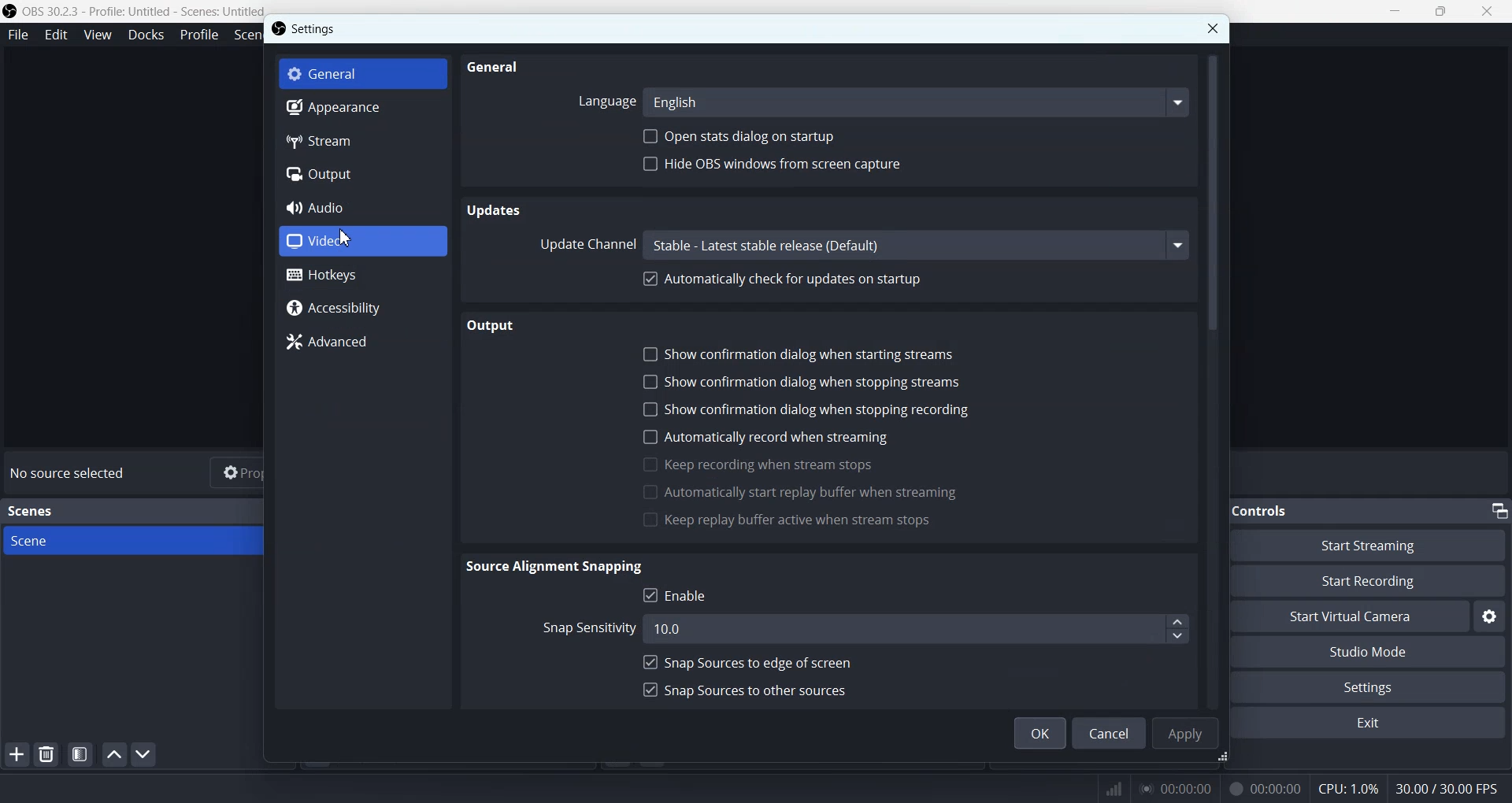 The width and height of the screenshot is (1512, 803). What do you see at coordinates (647, 521) in the screenshot?
I see `checkbox` at bounding box center [647, 521].